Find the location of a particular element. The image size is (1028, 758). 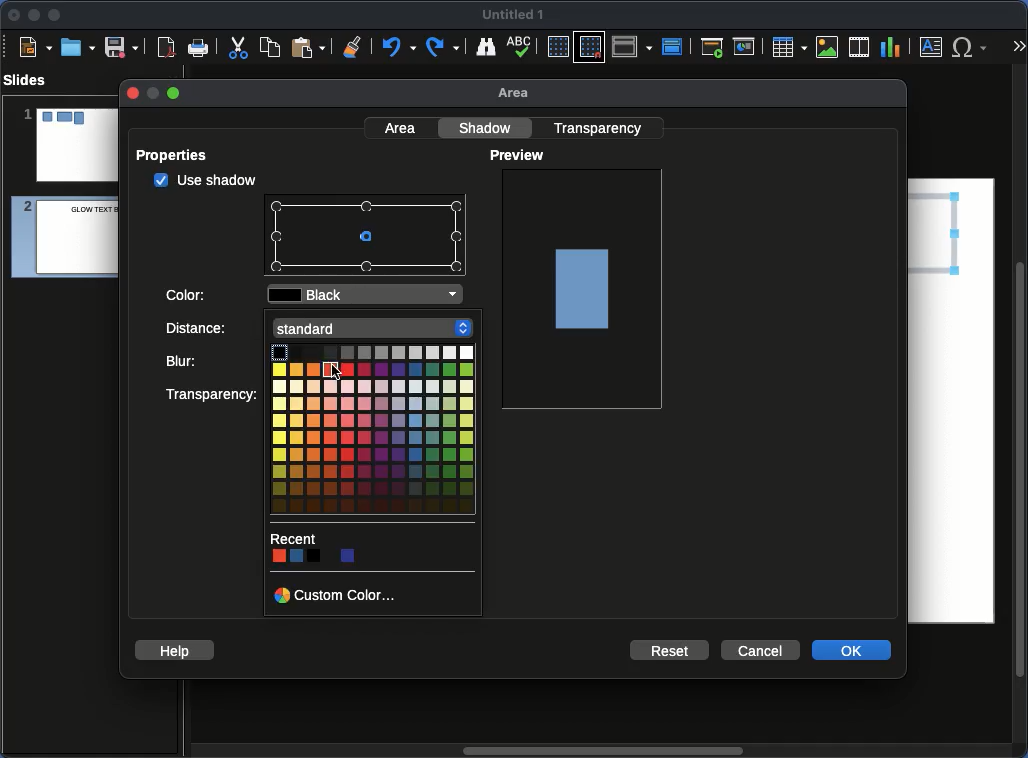

Minimize is located at coordinates (33, 14).